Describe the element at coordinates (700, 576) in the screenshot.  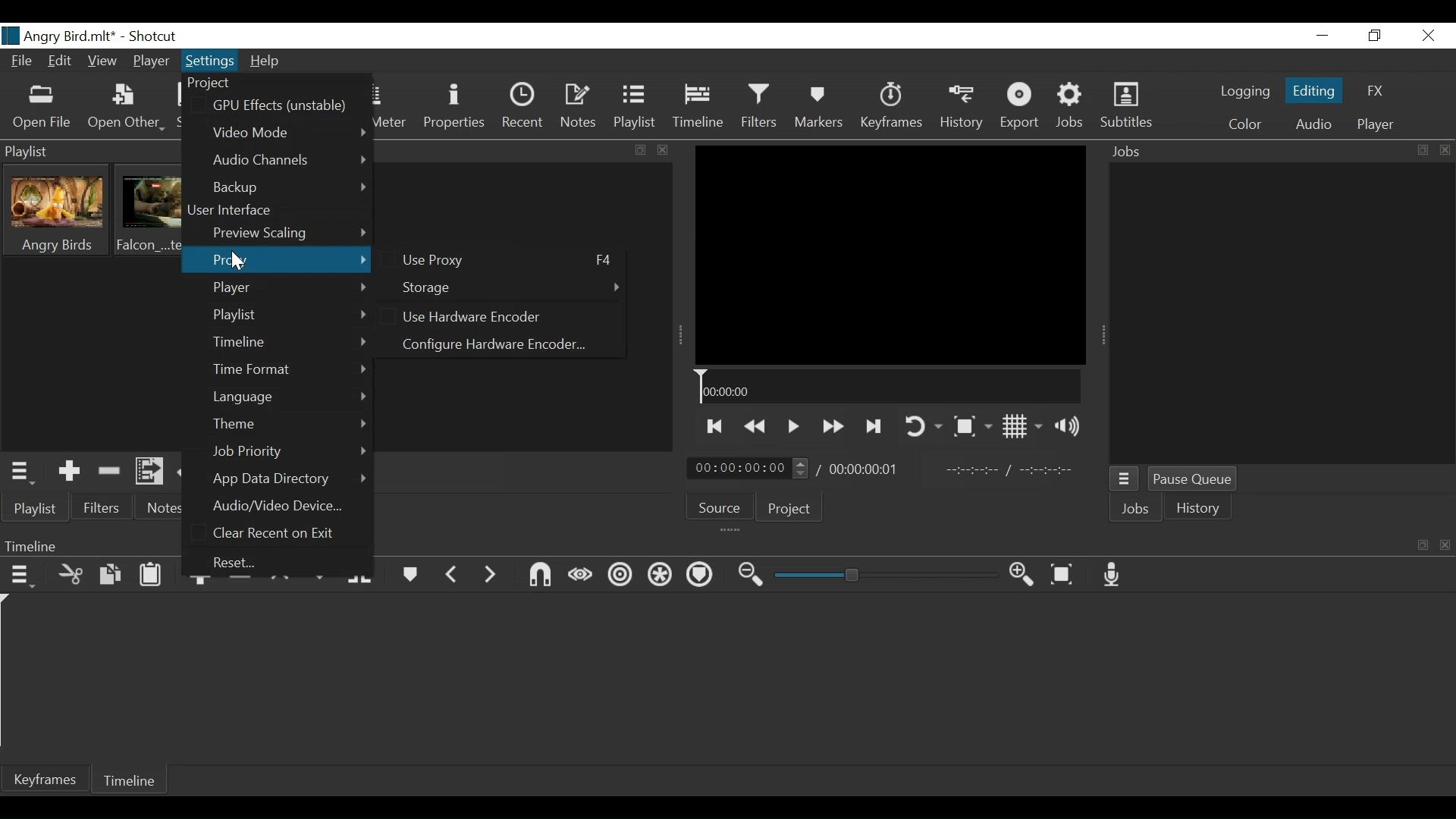
I see `Ripple Marker` at that location.